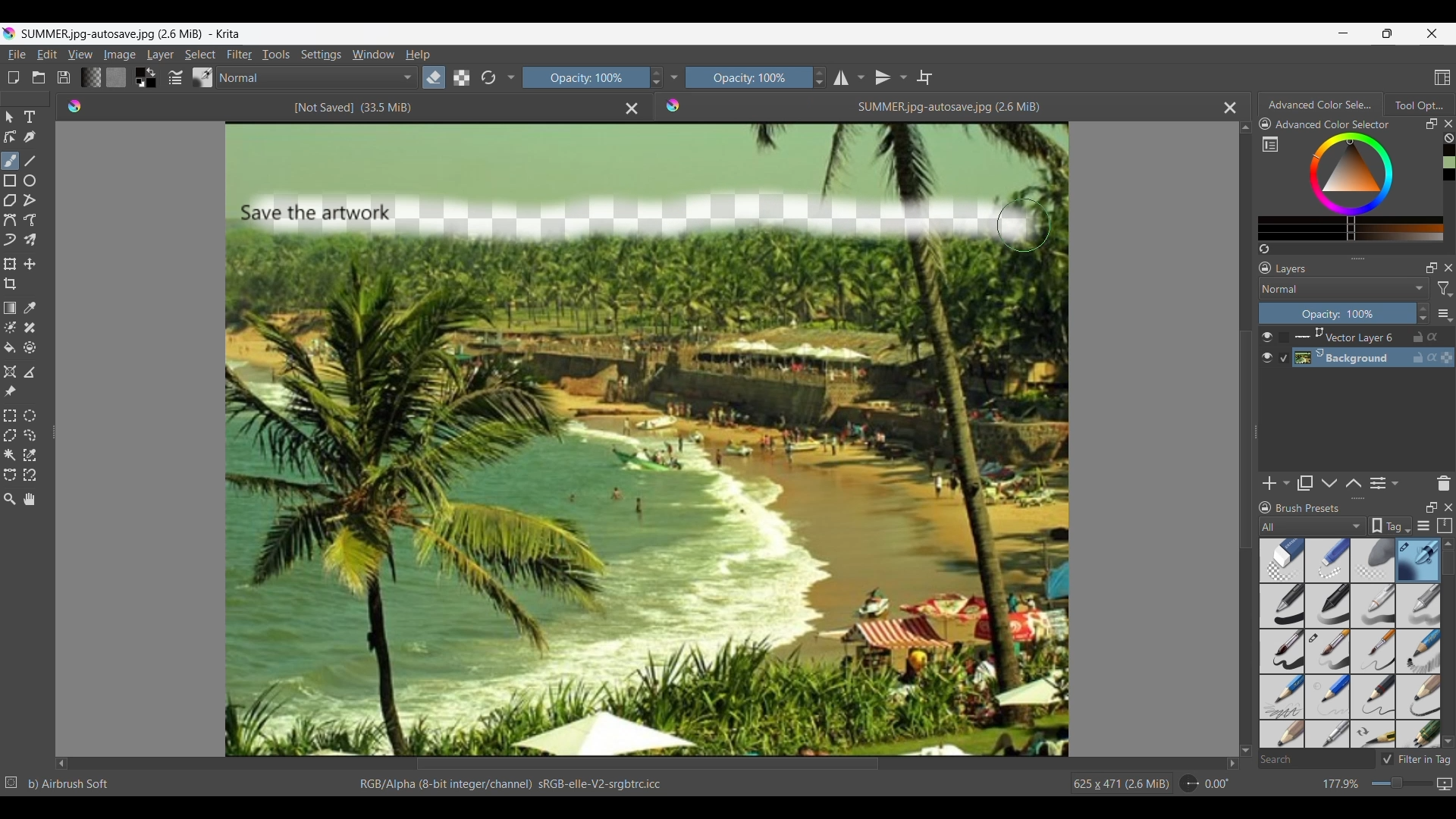 Image resolution: width=1456 pixels, height=819 pixels. What do you see at coordinates (1245, 751) in the screenshot?
I see `Quick slide to bottom` at bounding box center [1245, 751].